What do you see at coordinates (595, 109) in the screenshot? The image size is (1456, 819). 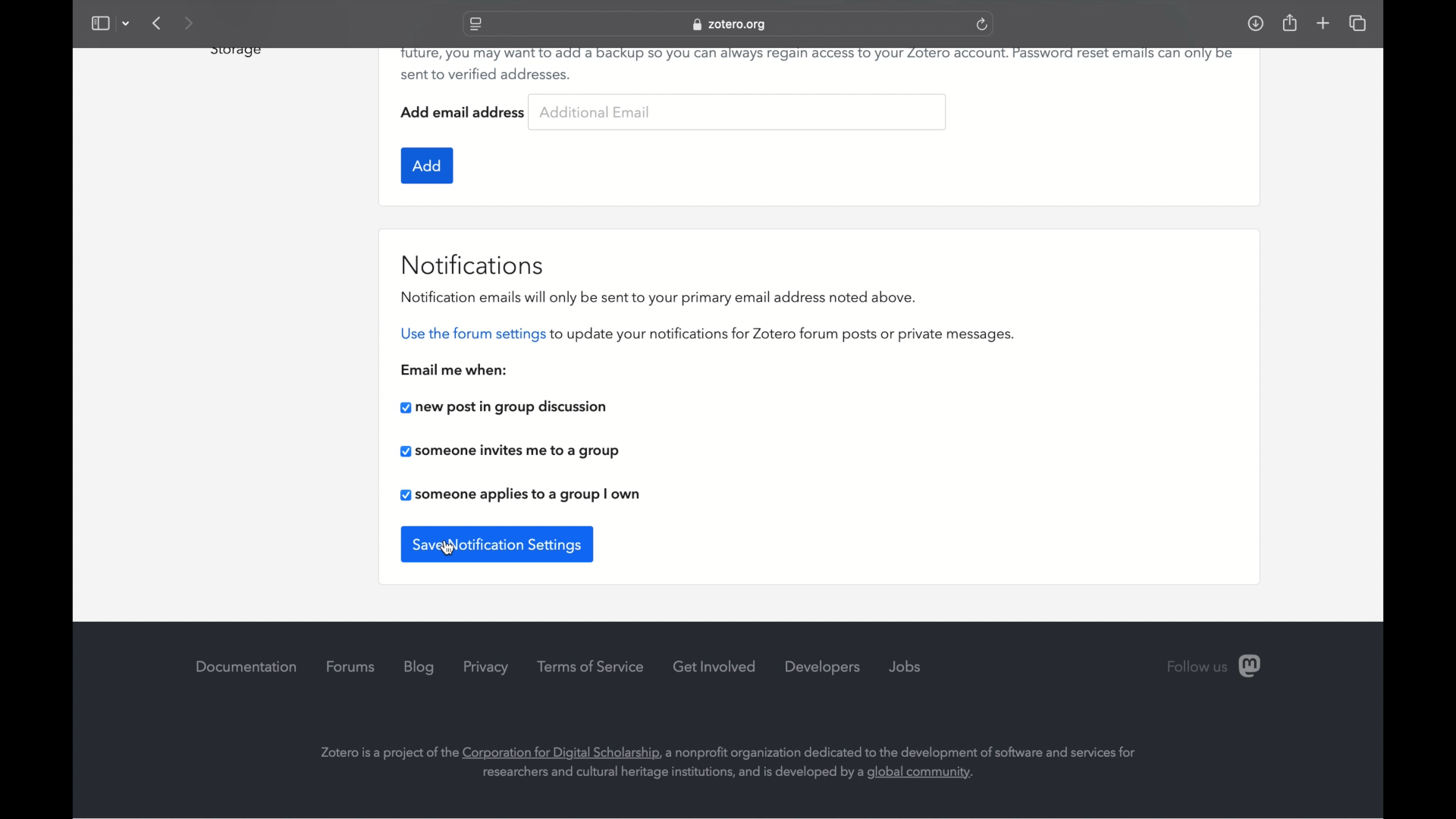 I see `additional email` at bounding box center [595, 109].